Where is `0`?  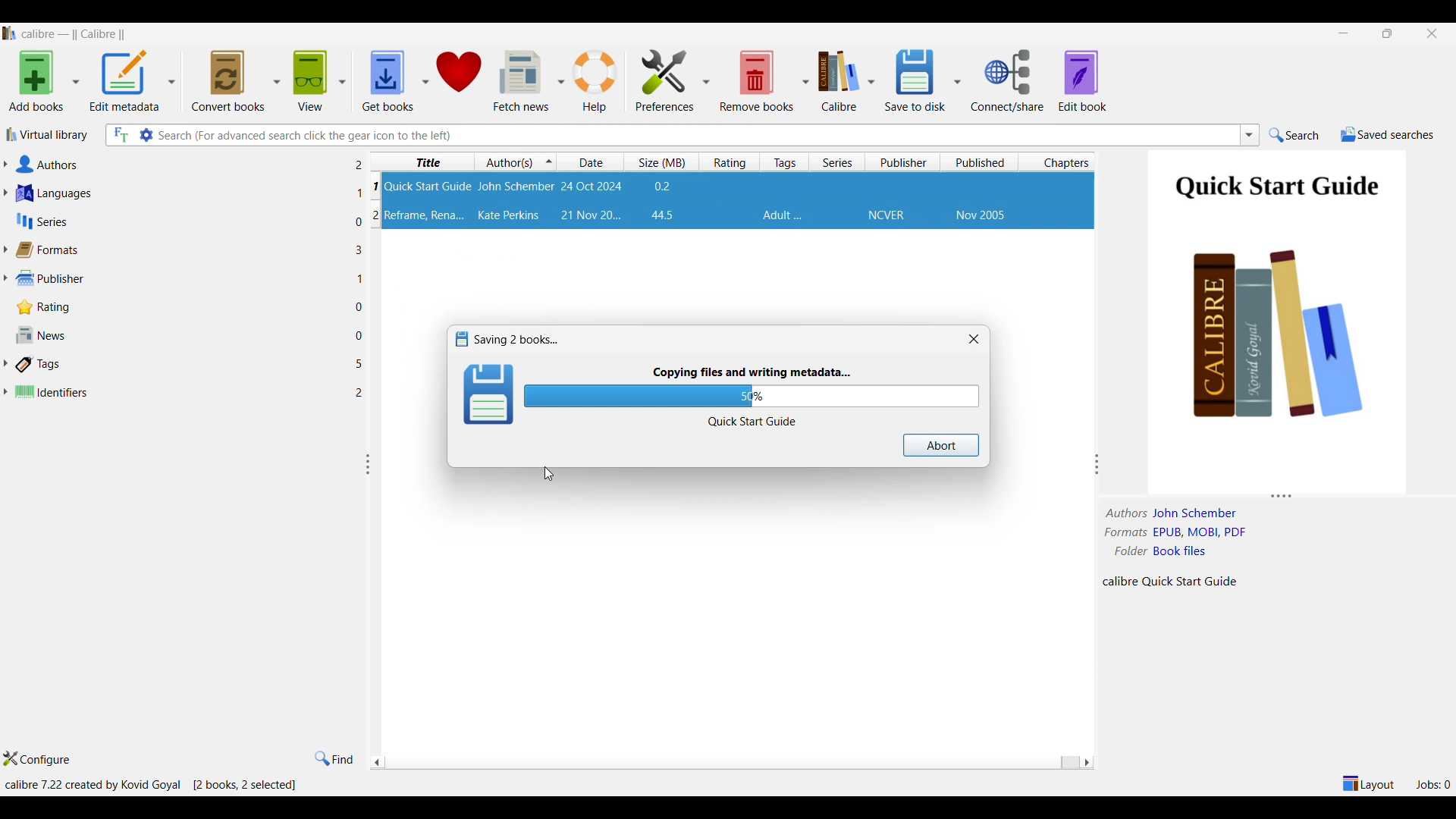
0 is located at coordinates (359, 336).